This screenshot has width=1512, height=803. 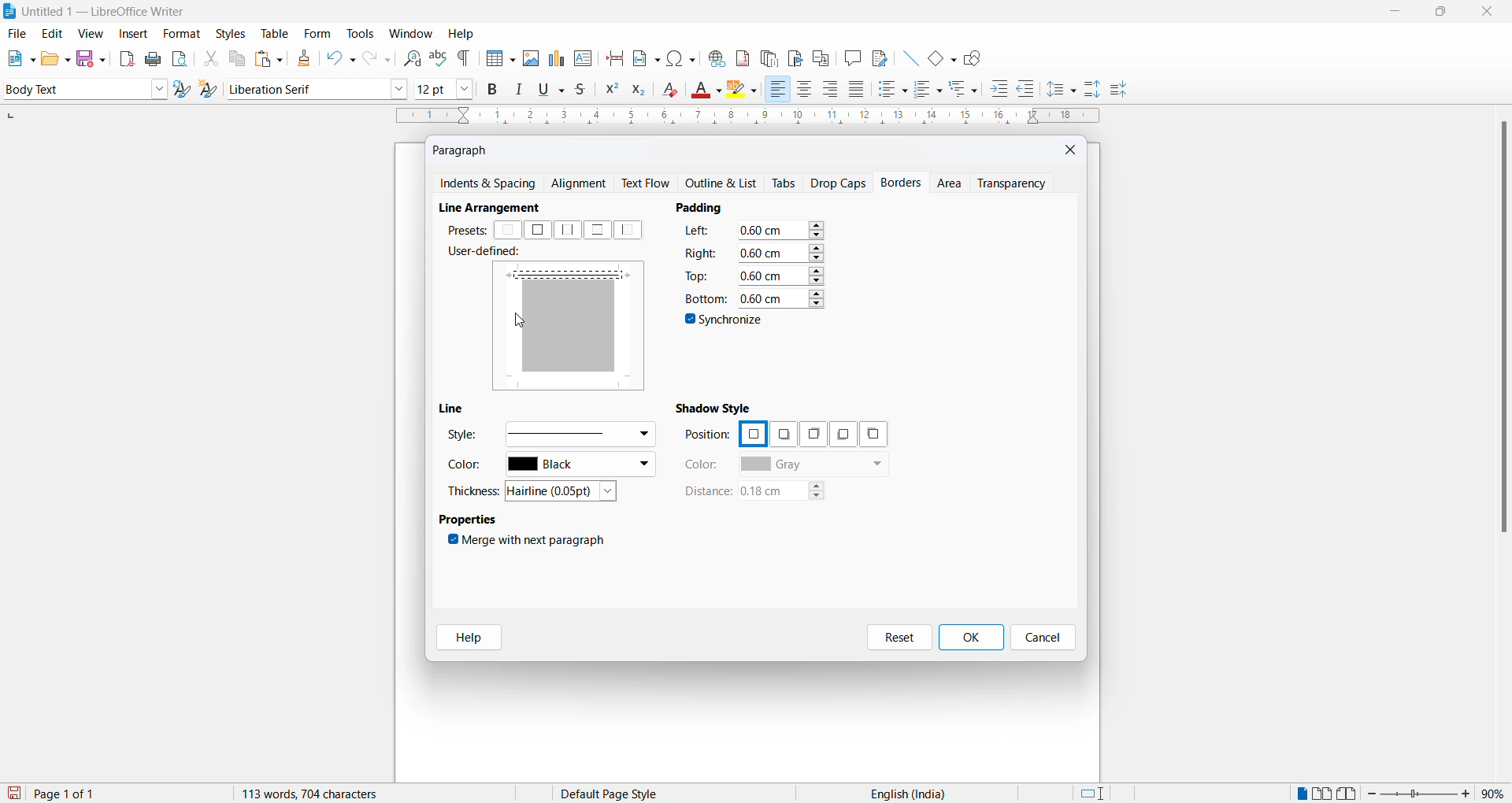 I want to click on page style, so click(x=615, y=794).